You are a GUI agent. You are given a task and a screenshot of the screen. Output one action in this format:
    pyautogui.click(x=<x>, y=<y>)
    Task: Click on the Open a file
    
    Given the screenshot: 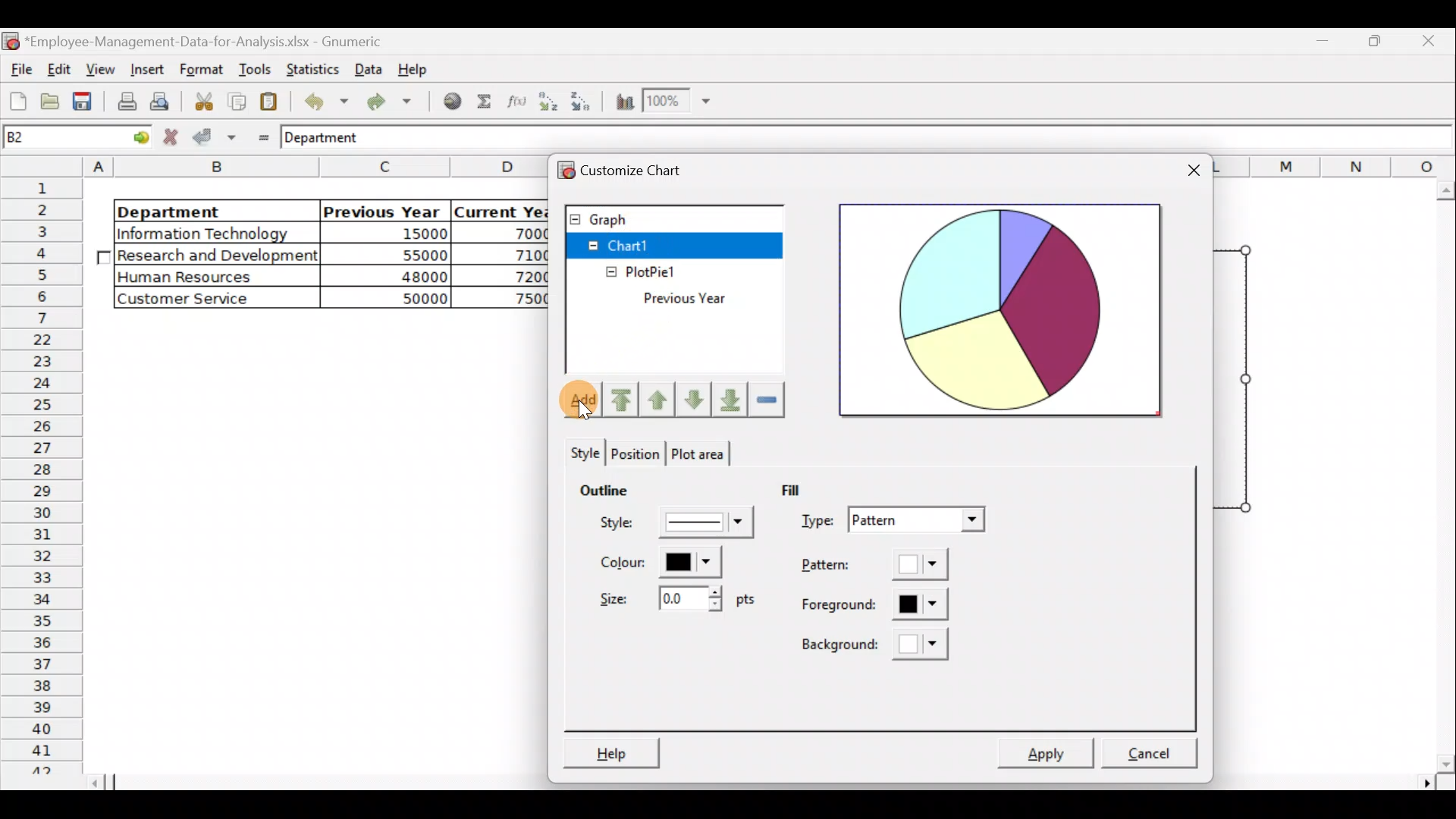 What is the action you would take?
    pyautogui.click(x=49, y=104)
    